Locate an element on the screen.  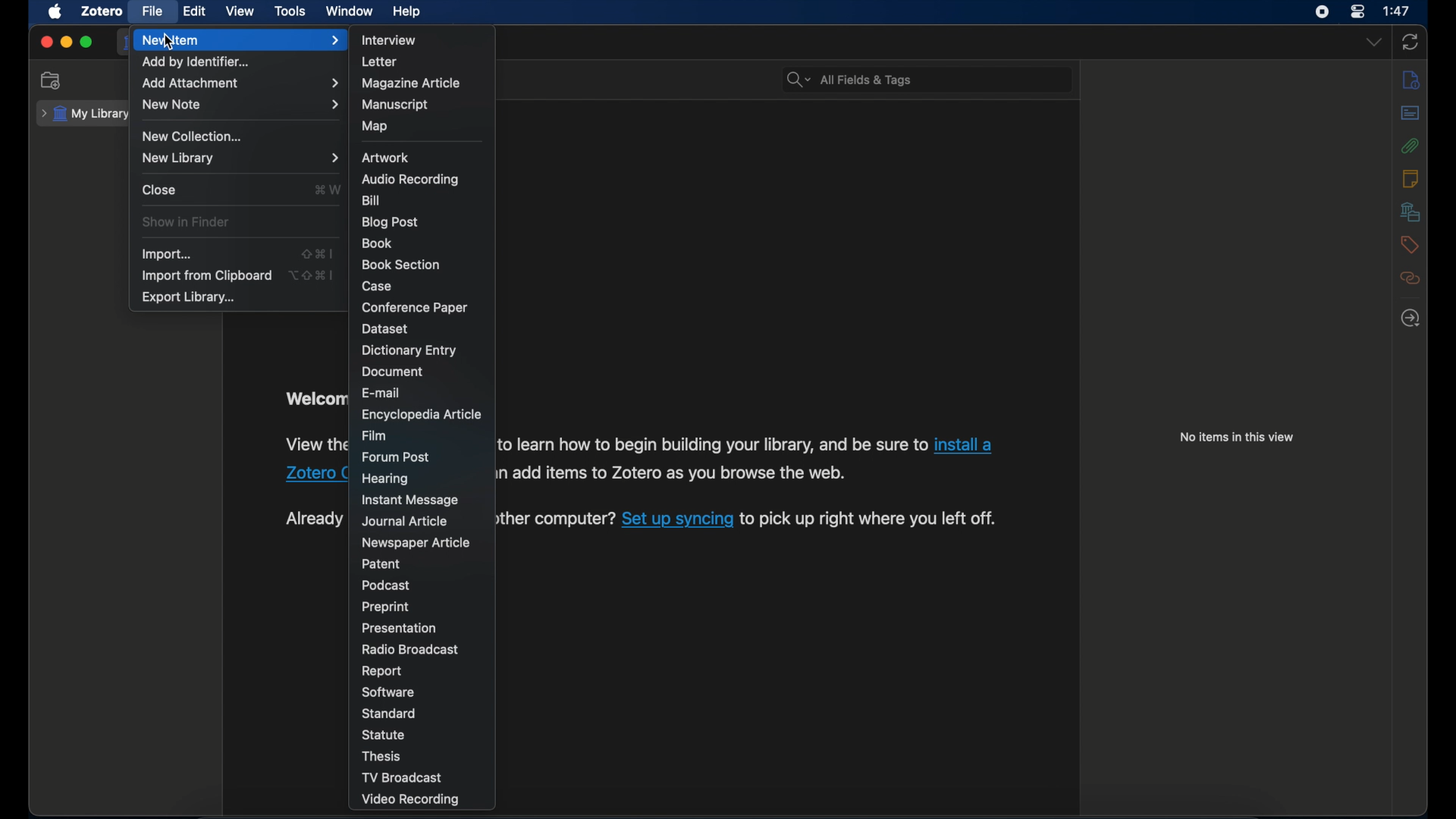
new library is located at coordinates (240, 158).